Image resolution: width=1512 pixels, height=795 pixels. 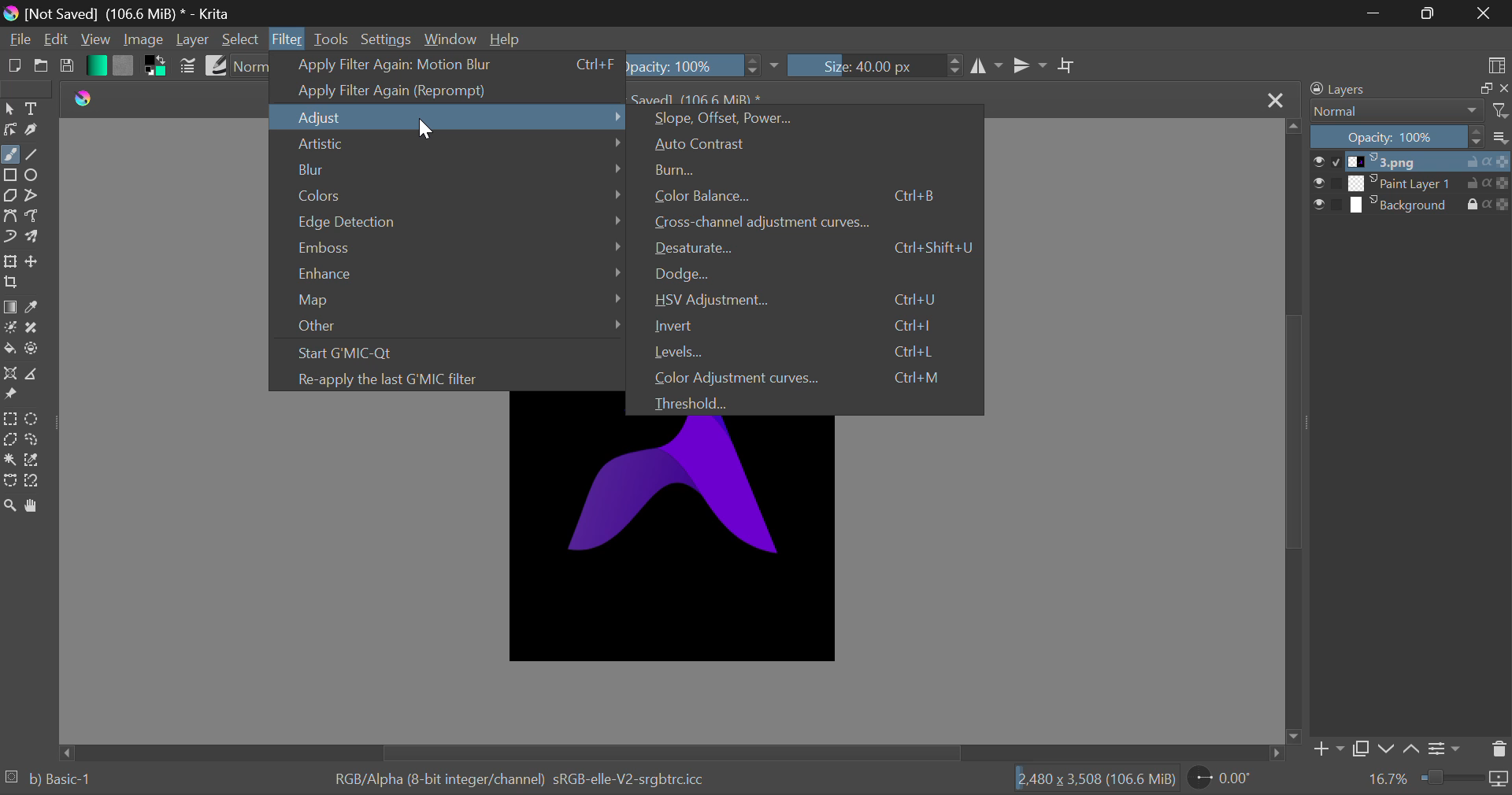 What do you see at coordinates (43, 68) in the screenshot?
I see `Open` at bounding box center [43, 68].